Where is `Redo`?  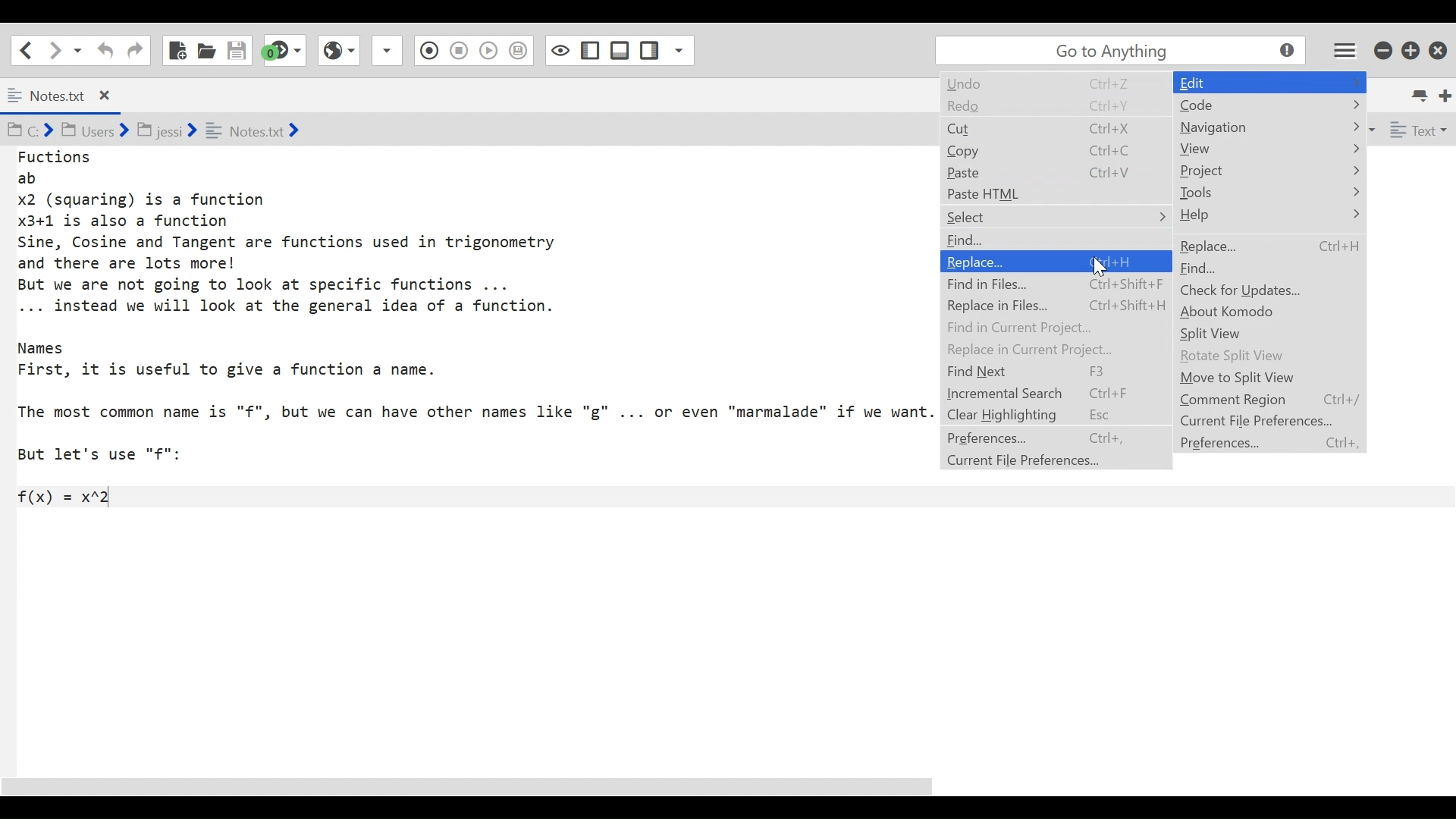
Redo is located at coordinates (1040, 105).